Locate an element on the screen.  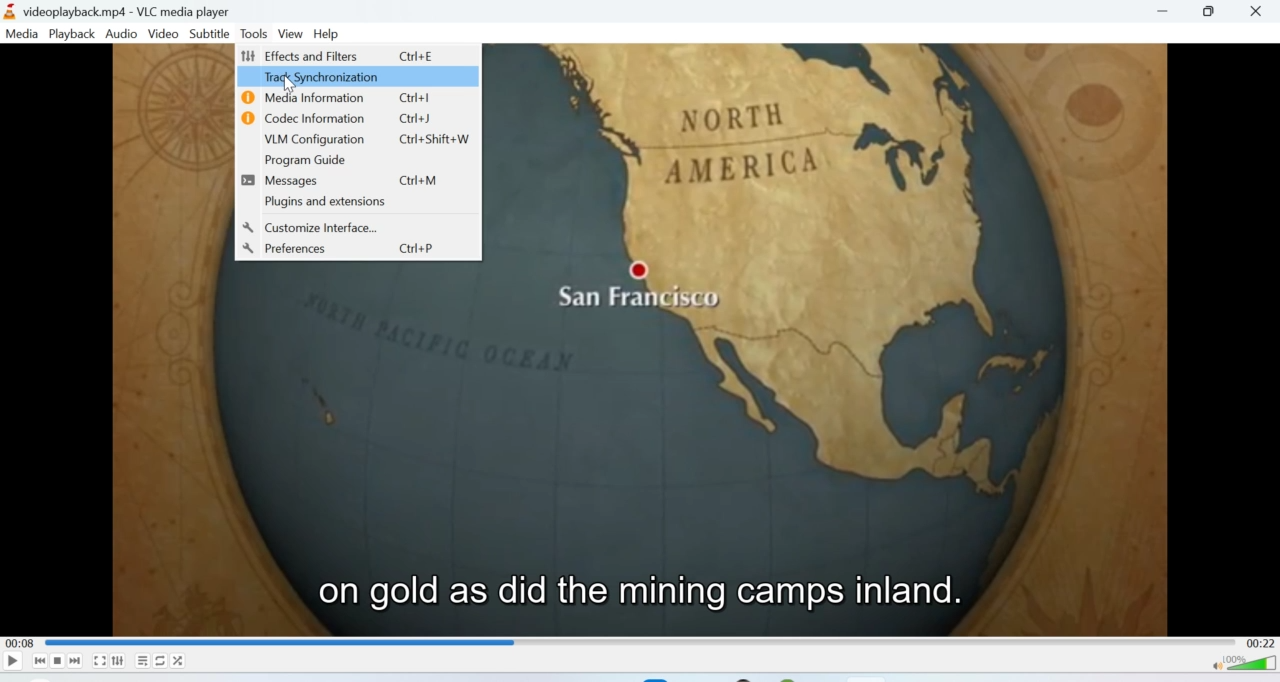
Play/Pause is located at coordinates (13, 661).